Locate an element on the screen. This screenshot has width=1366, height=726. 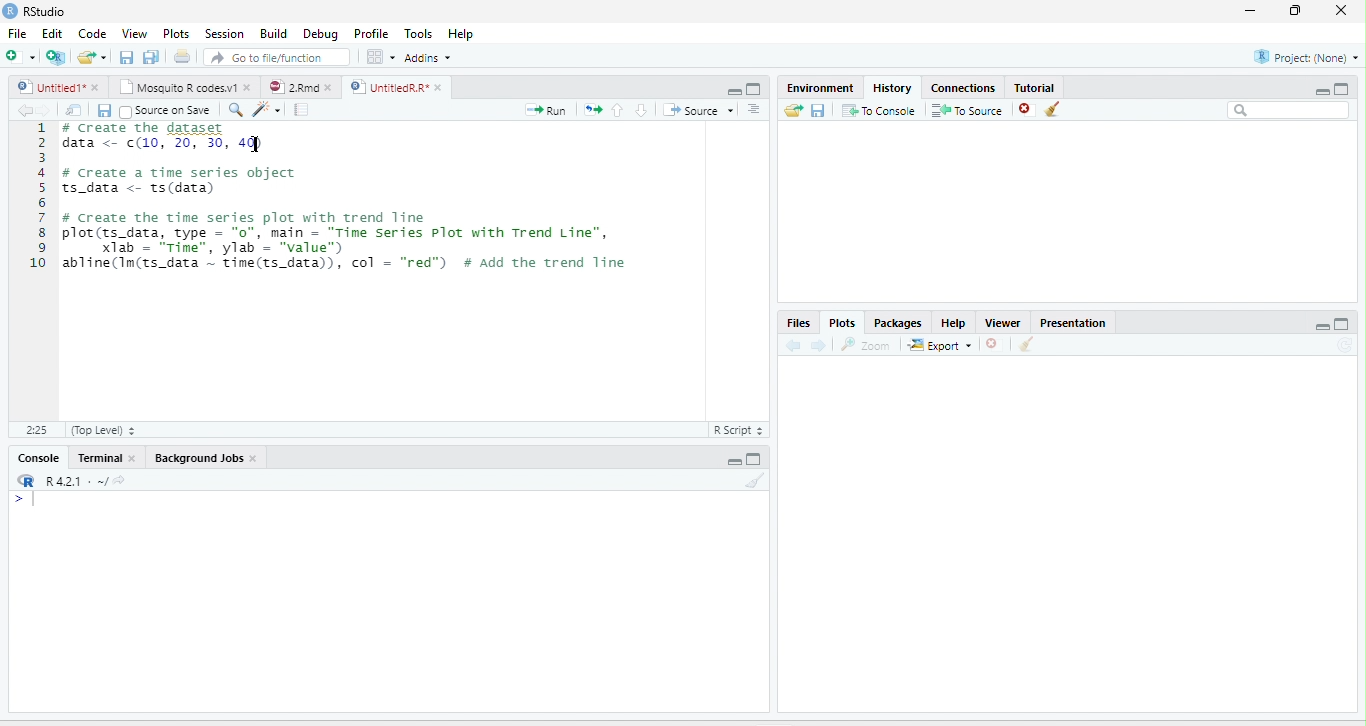
Minimize is located at coordinates (1321, 326).